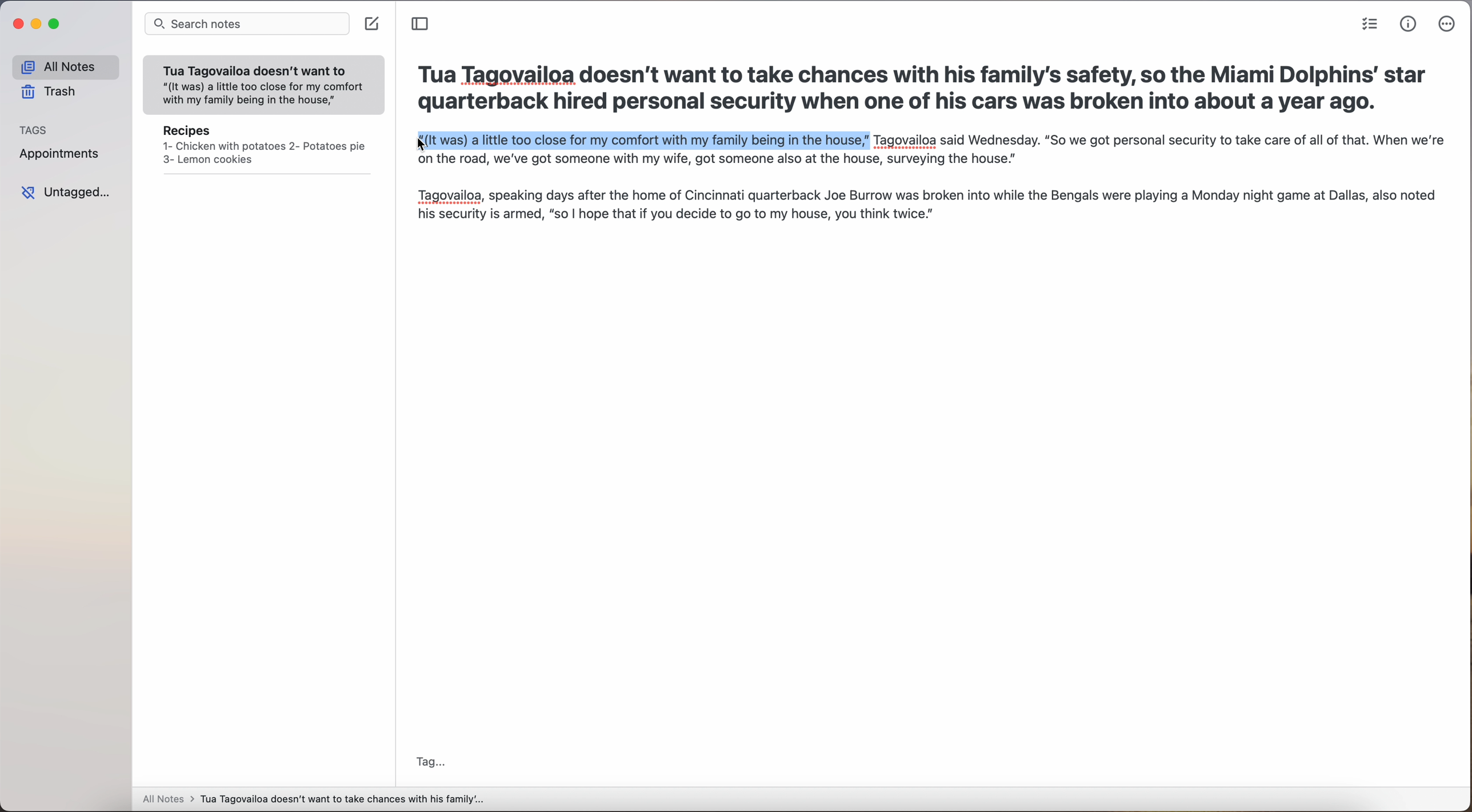 The image size is (1472, 812). What do you see at coordinates (1409, 25) in the screenshot?
I see `metrics` at bounding box center [1409, 25].